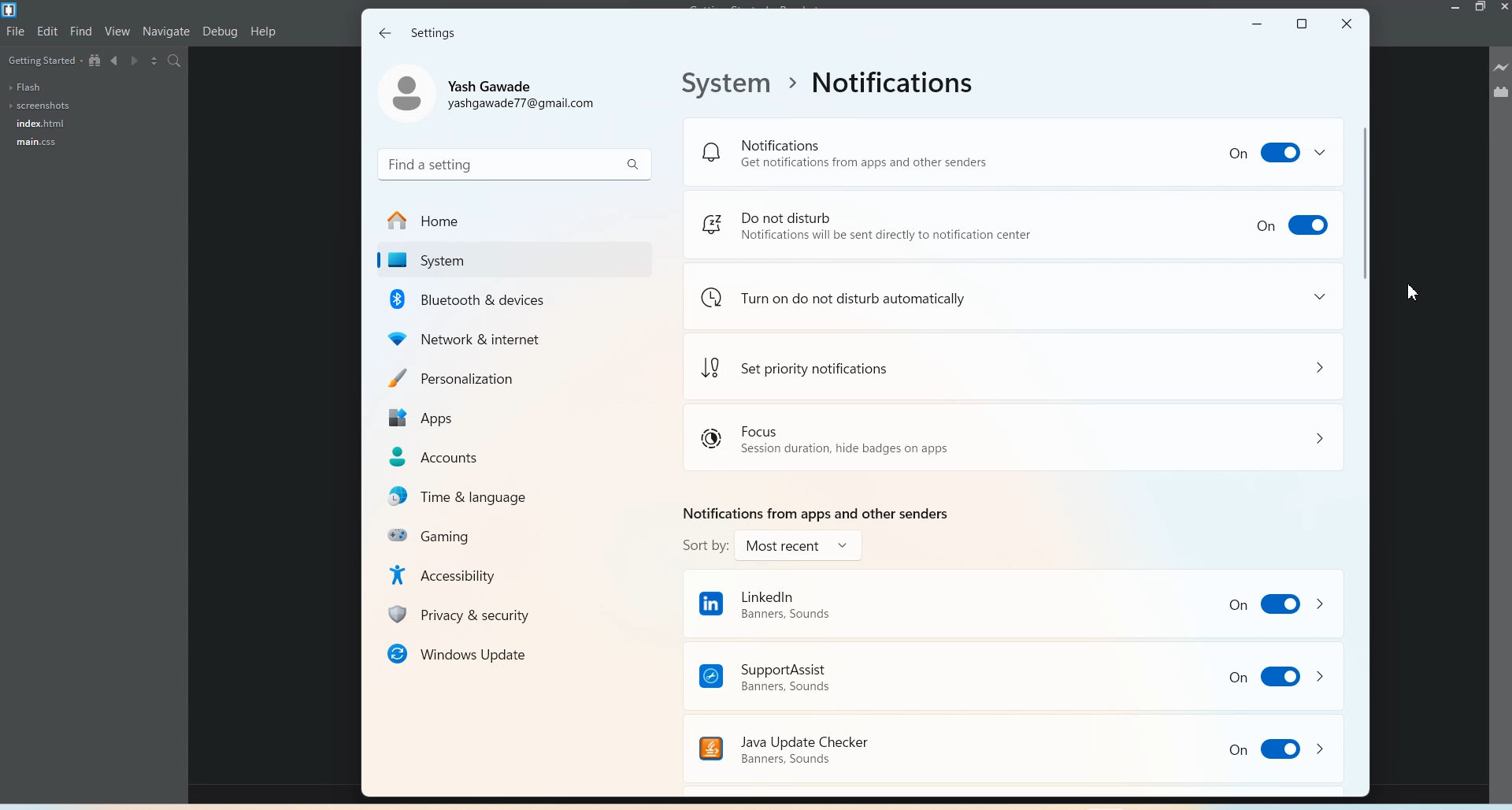  What do you see at coordinates (34, 141) in the screenshot?
I see `main.css` at bounding box center [34, 141].